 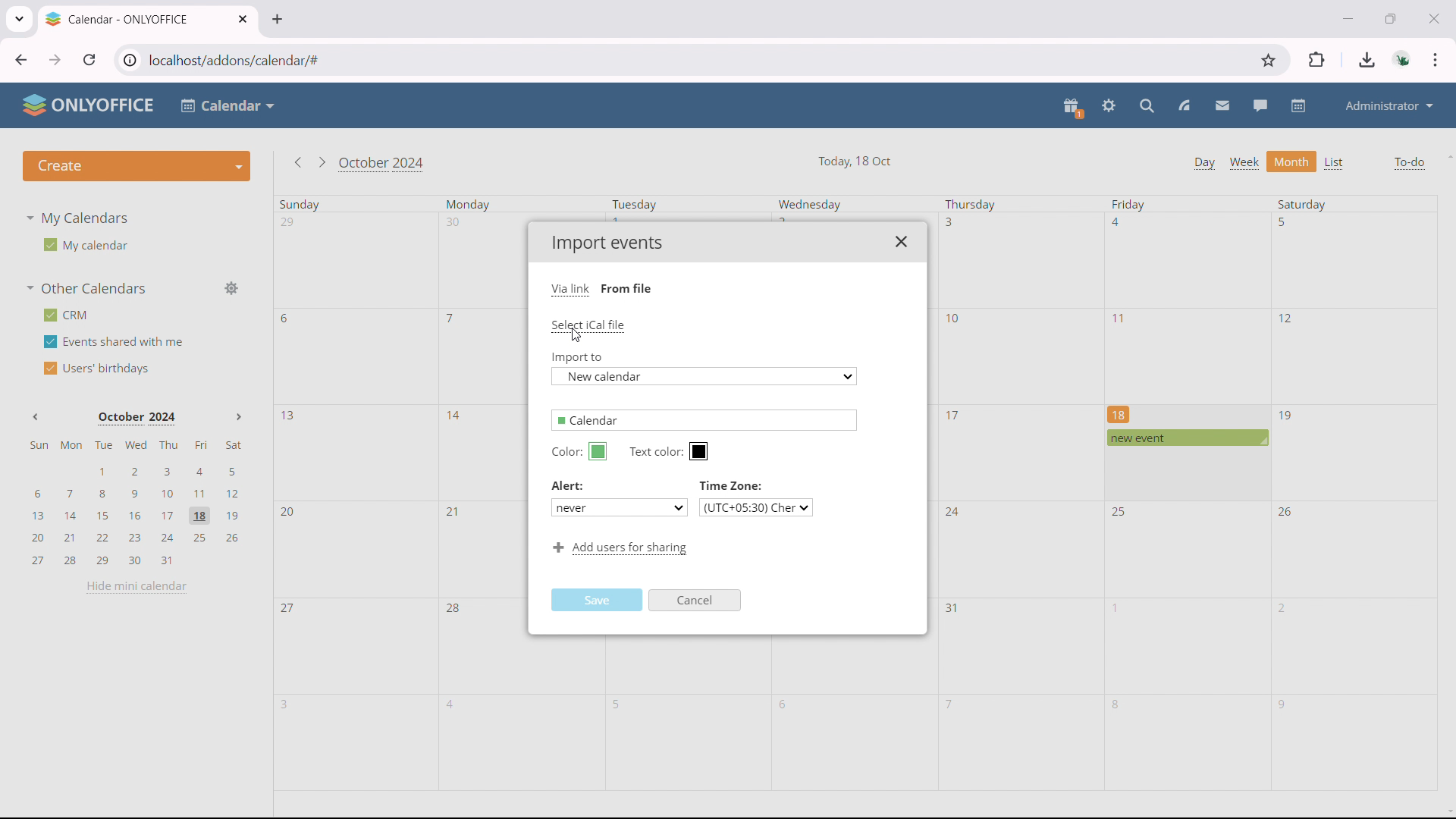 What do you see at coordinates (1282, 705) in the screenshot?
I see `9` at bounding box center [1282, 705].